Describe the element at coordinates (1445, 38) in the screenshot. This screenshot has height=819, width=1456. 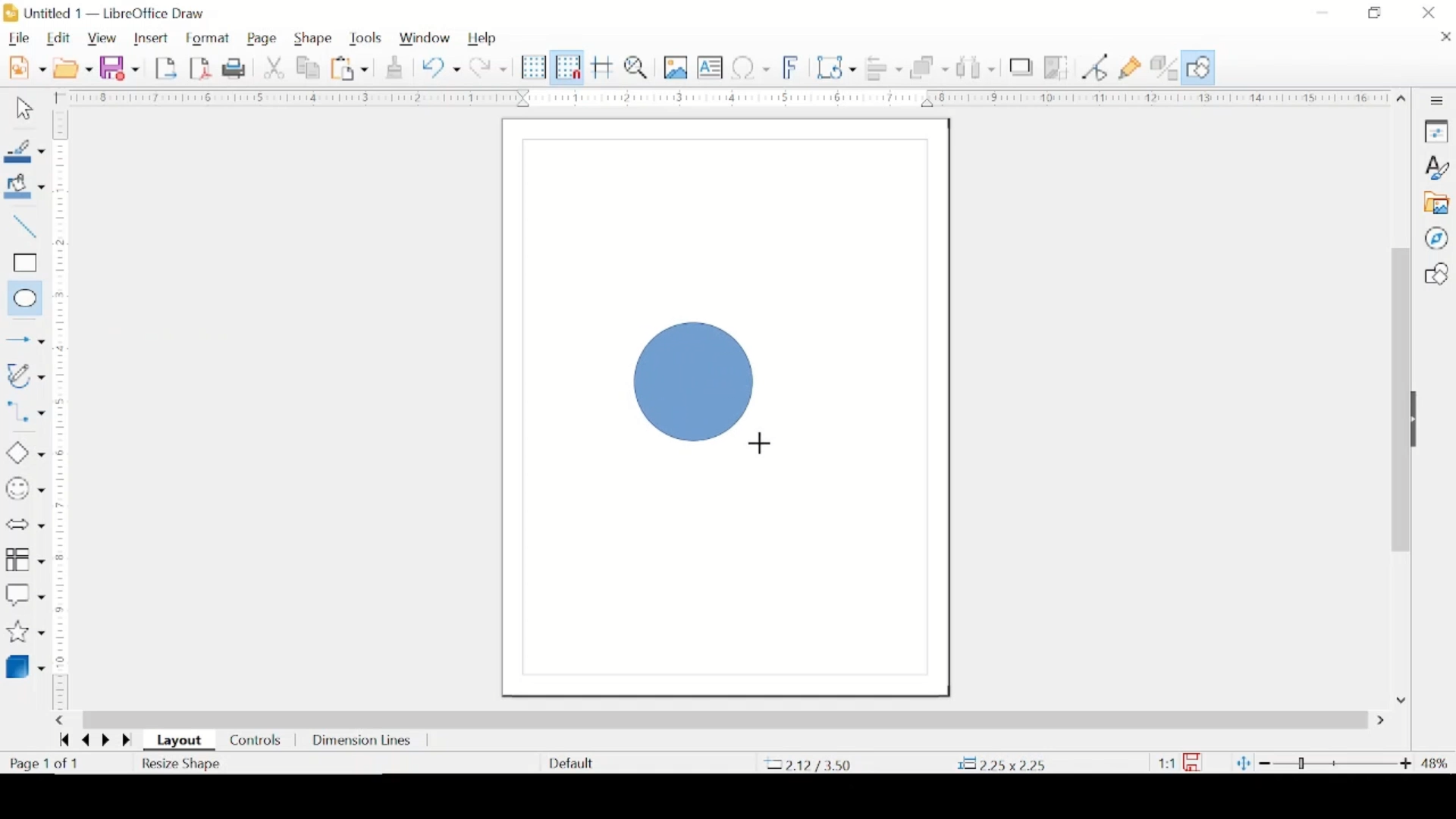
I see `close` at that location.